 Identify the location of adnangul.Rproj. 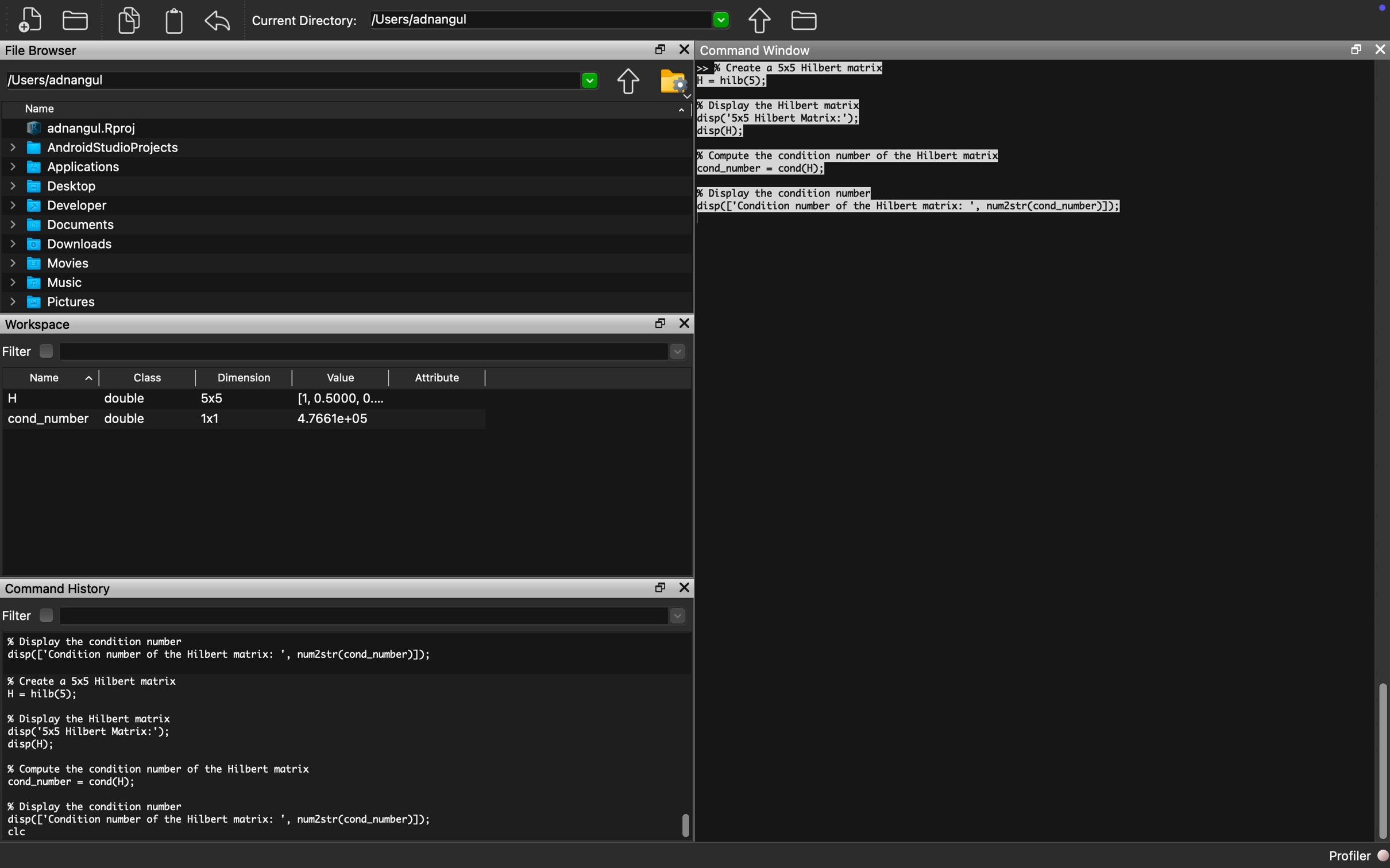
(79, 130).